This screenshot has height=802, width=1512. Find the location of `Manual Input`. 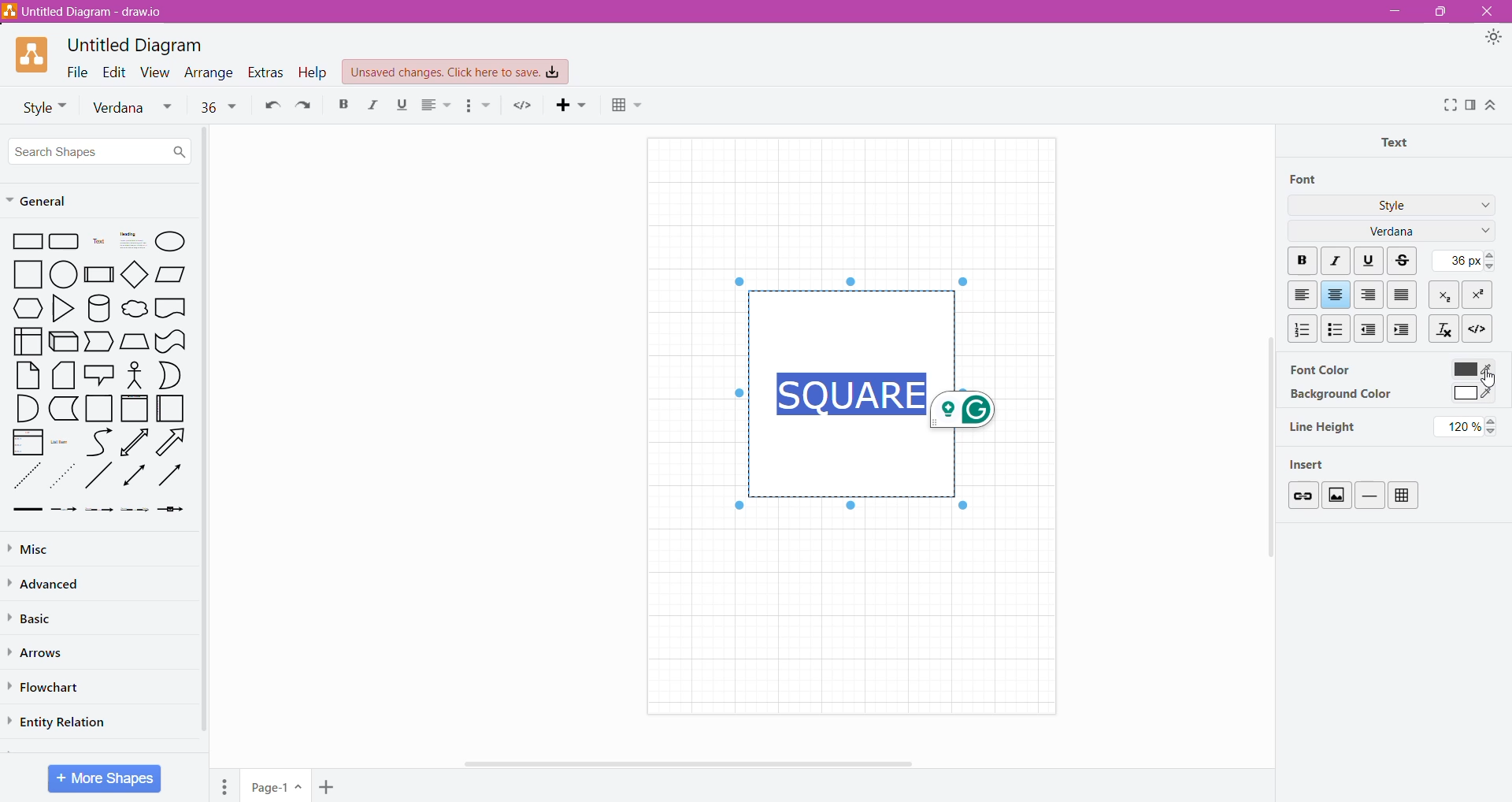

Manual Input is located at coordinates (134, 342).